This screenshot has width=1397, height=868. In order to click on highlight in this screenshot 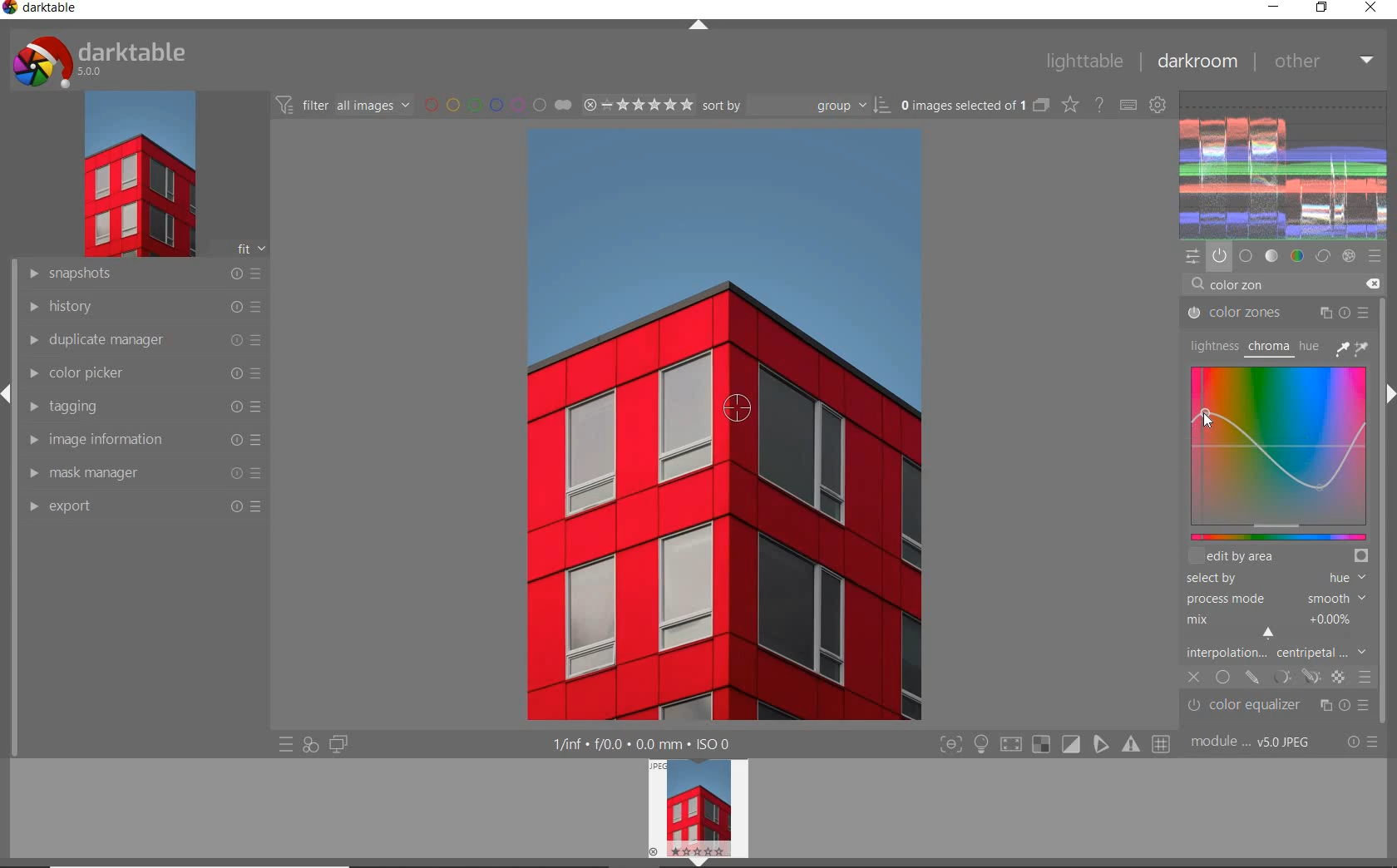, I will do `click(983, 747)`.